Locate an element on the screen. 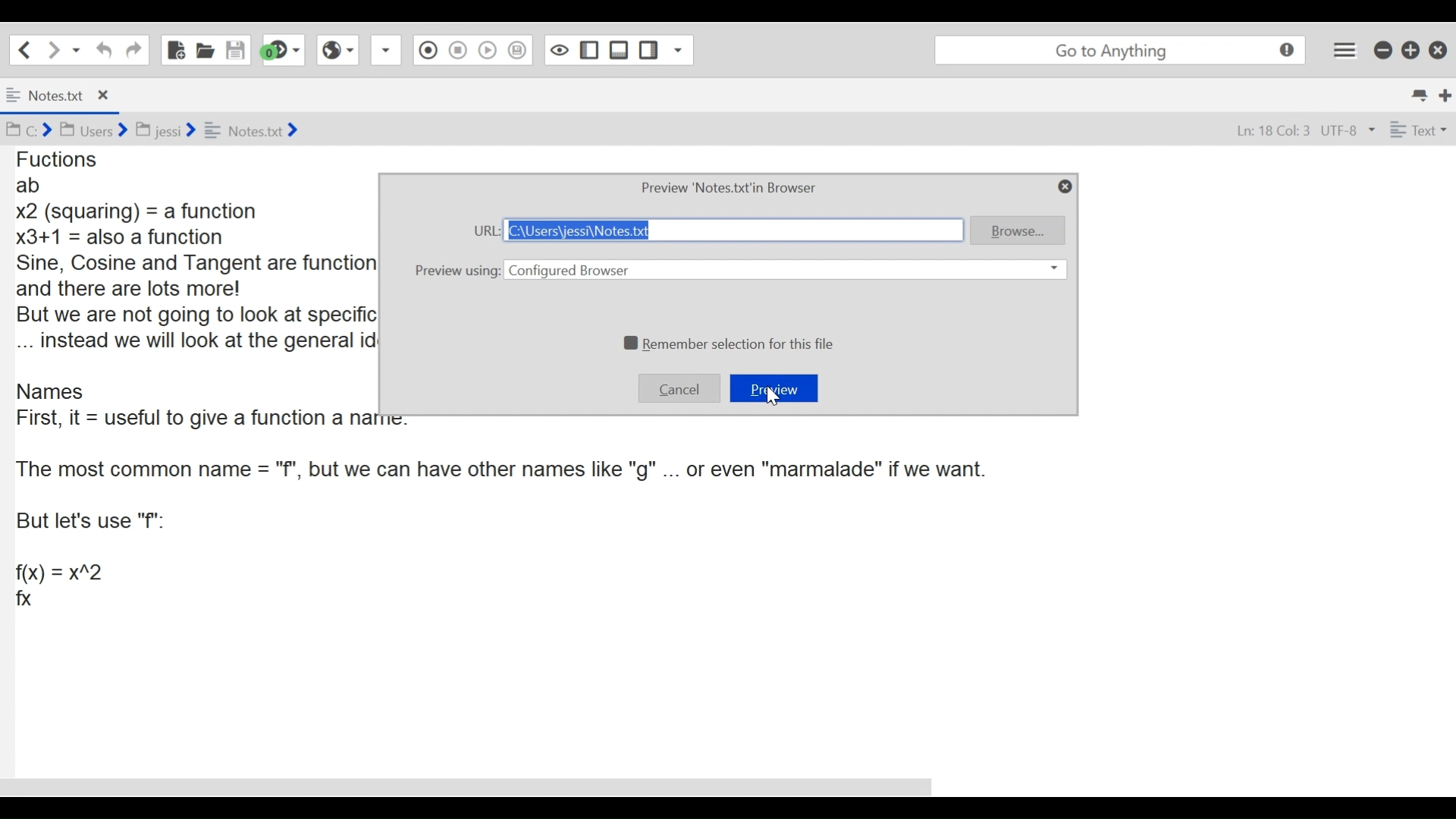 Image resolution: width=1456 pixels, height=819 pixels. Preview is located at coordinates (774, 388).